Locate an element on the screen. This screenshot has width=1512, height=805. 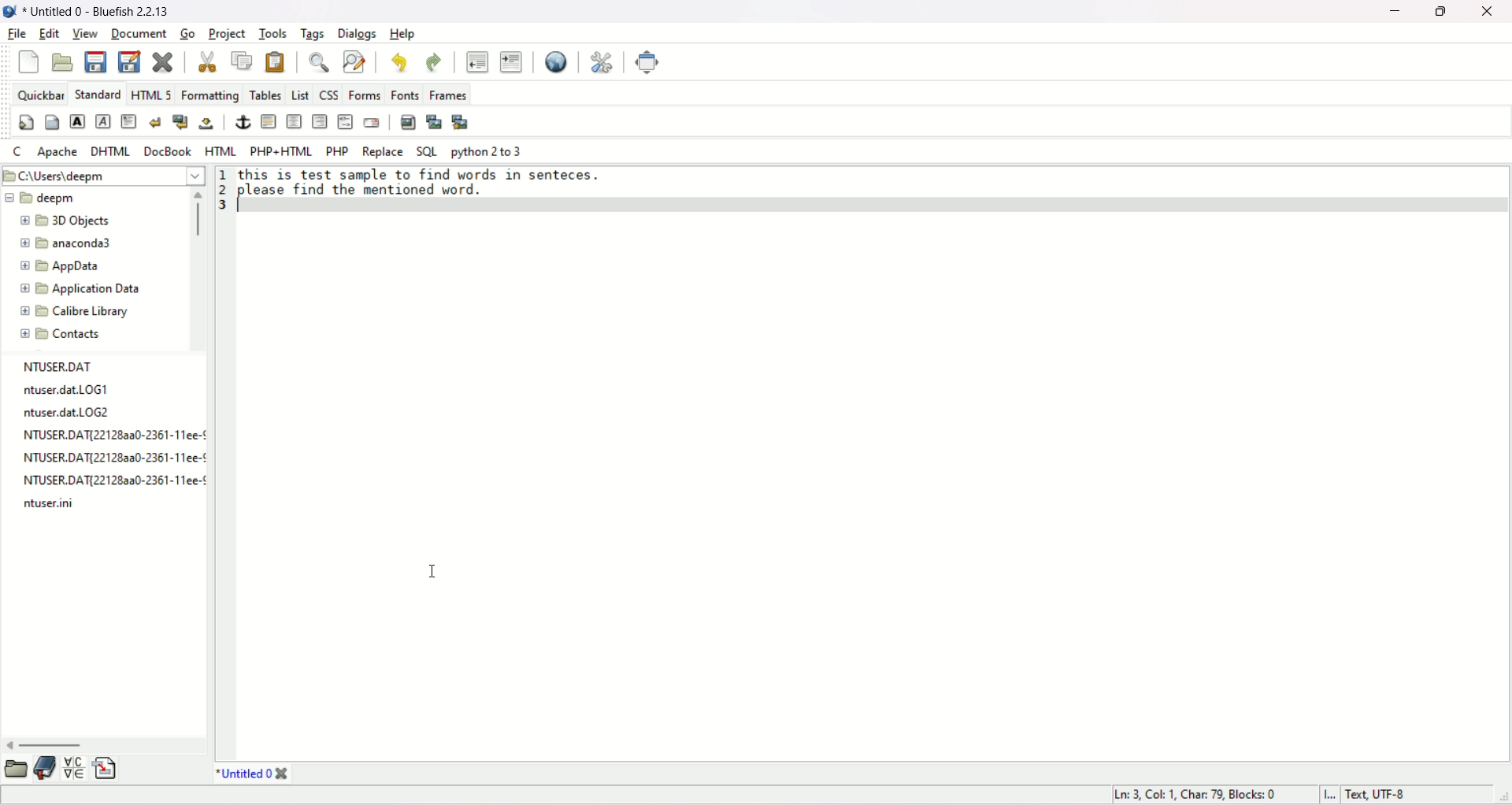
non-breaking space is located at coordinates (206, 124).